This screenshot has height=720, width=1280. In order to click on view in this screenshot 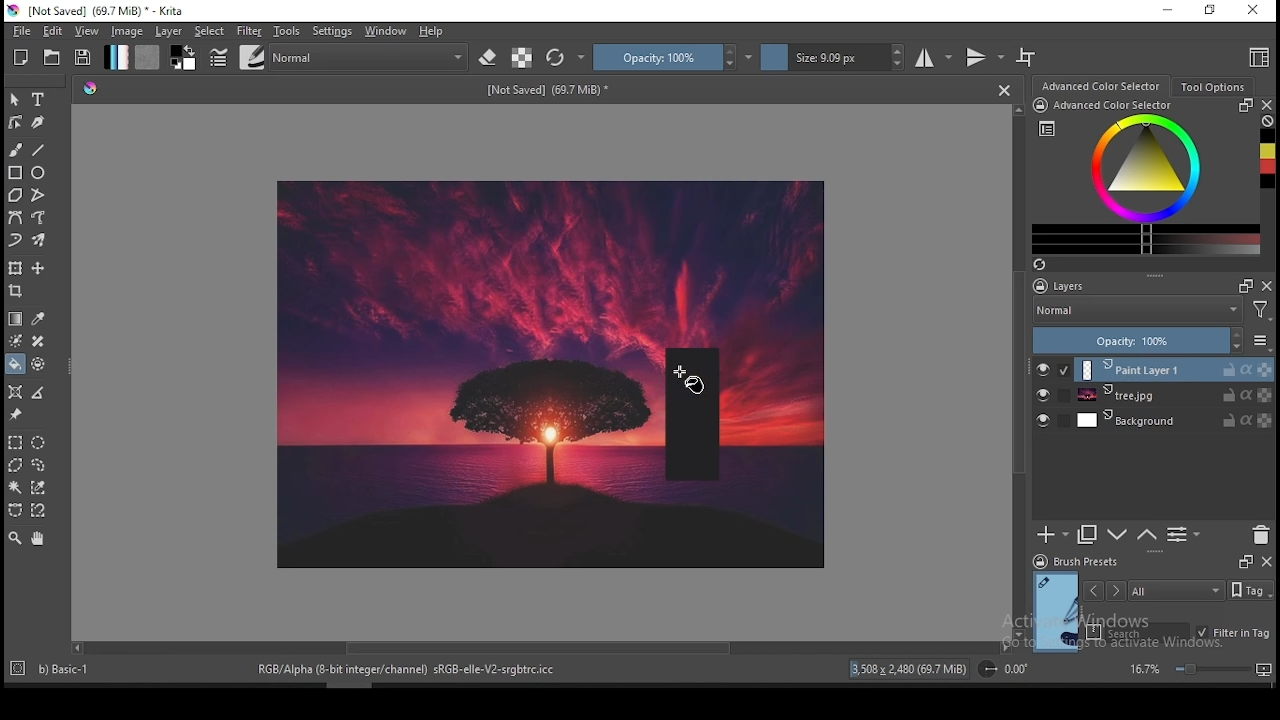, I will do `click(89, 32)`.